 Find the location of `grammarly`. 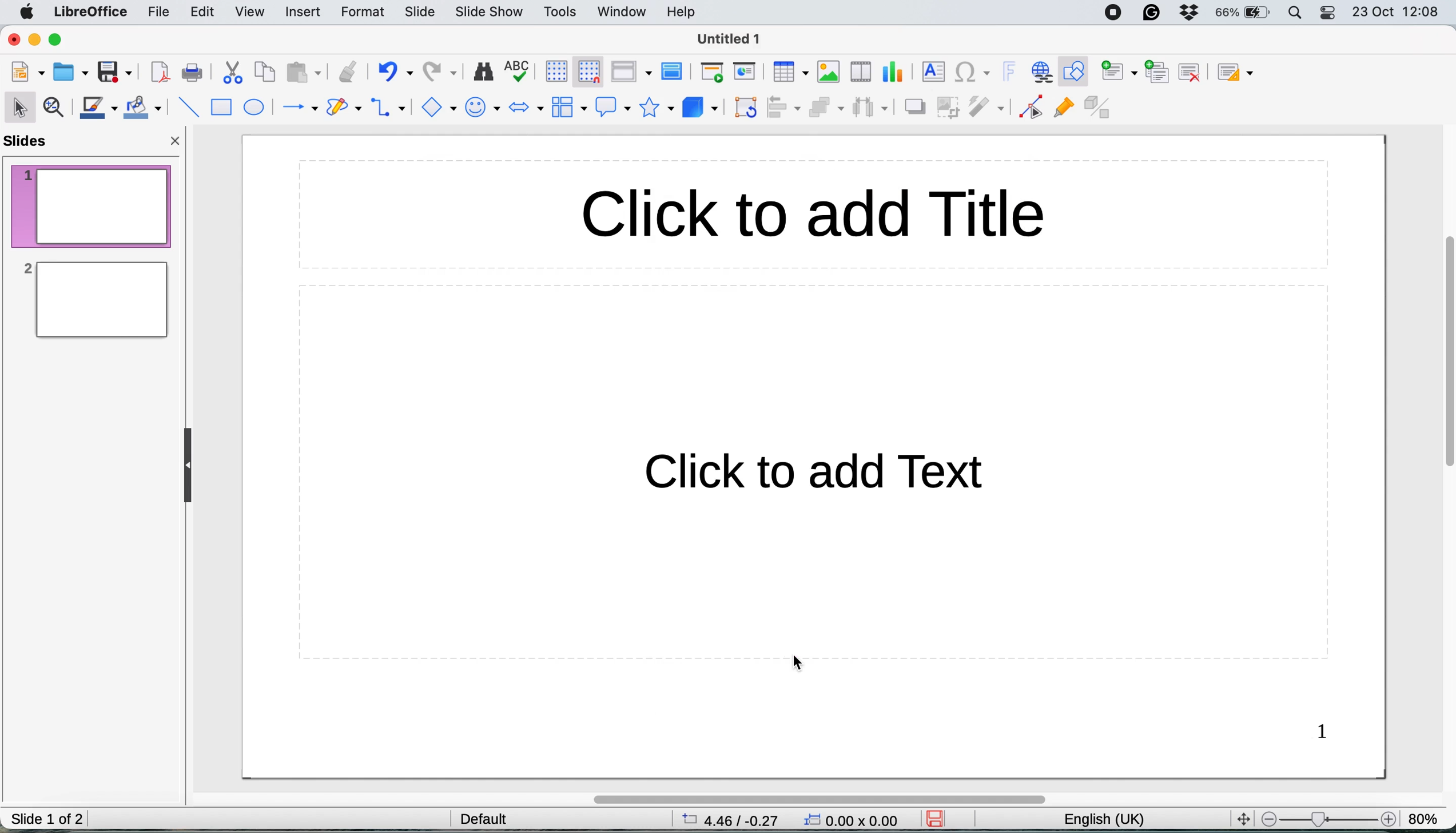

grammarly is located at coordinates (1153, 14).